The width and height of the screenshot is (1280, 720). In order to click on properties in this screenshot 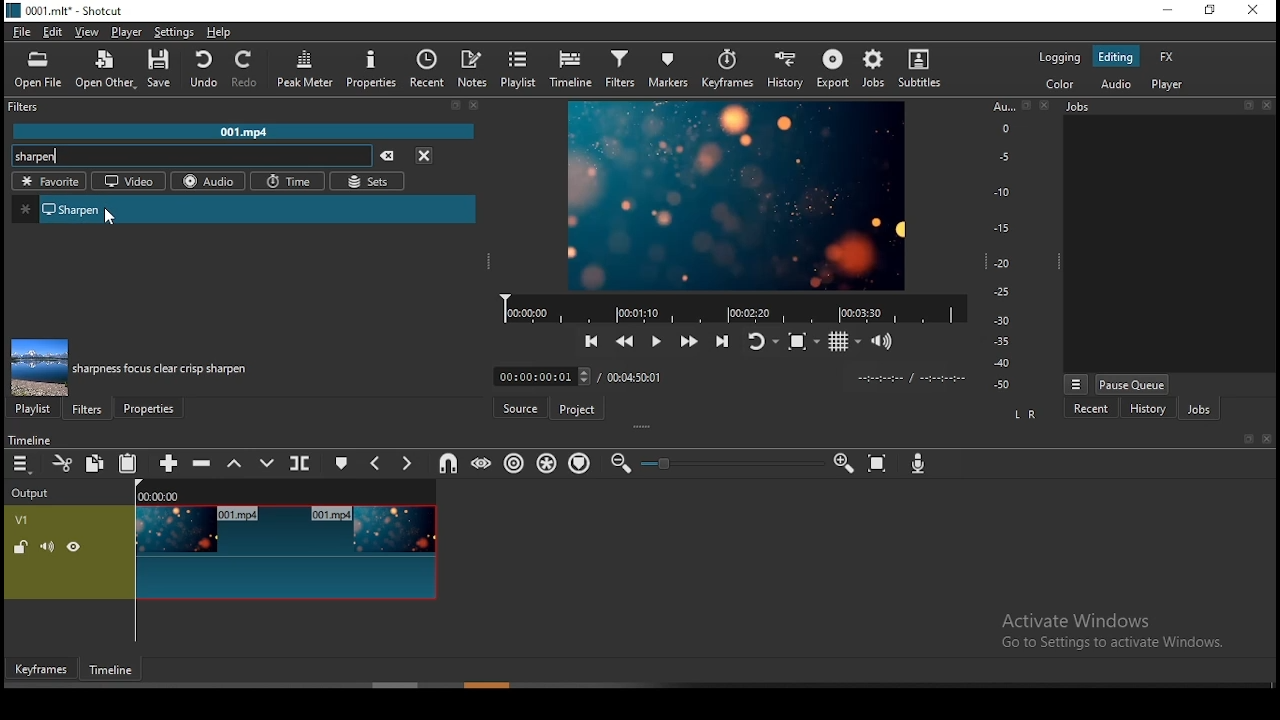, I will do `click(372, 70)`.